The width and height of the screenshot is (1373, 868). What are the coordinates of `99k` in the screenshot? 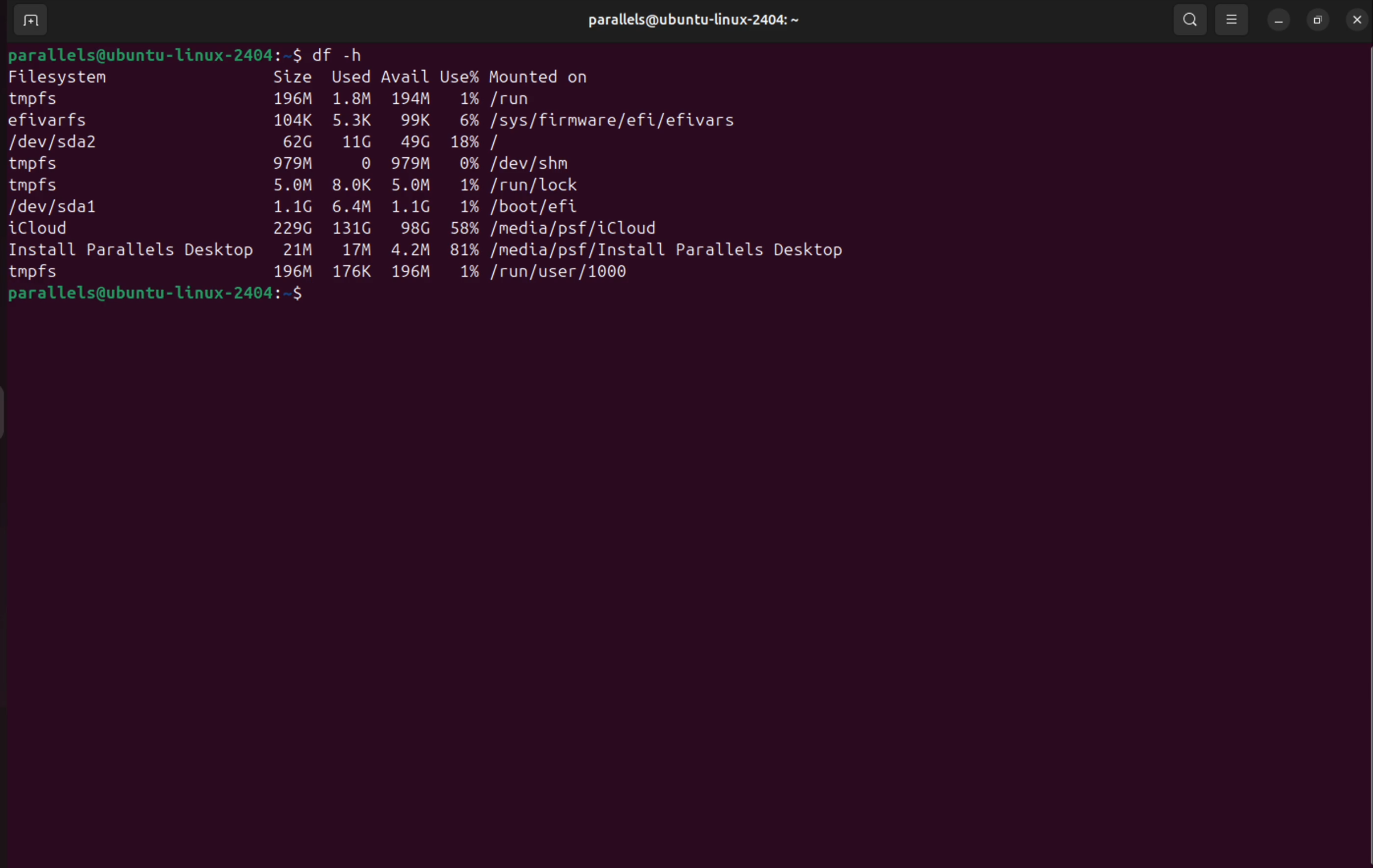 It's located at (416, 121).